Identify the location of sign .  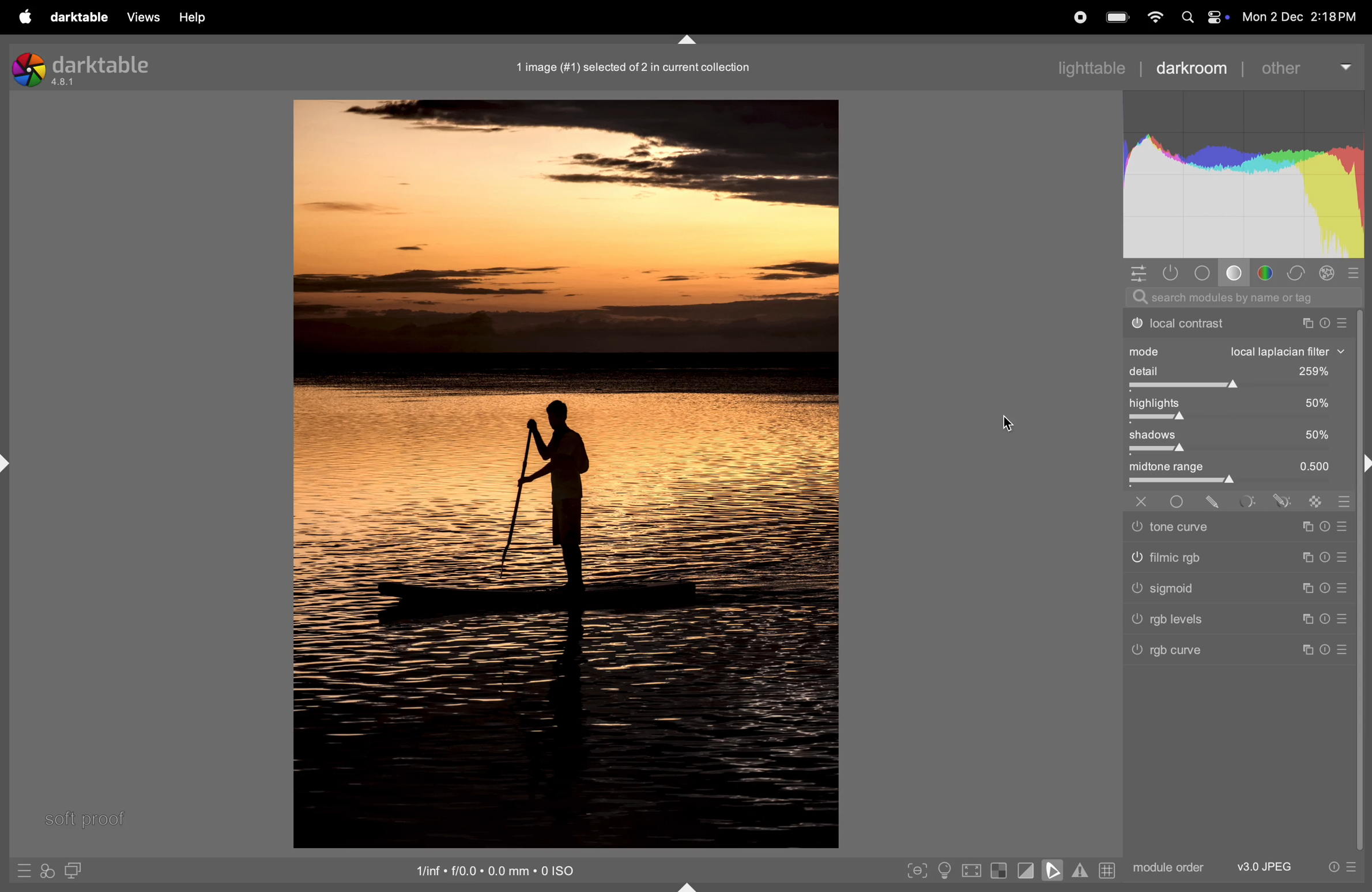
(1329, 618).